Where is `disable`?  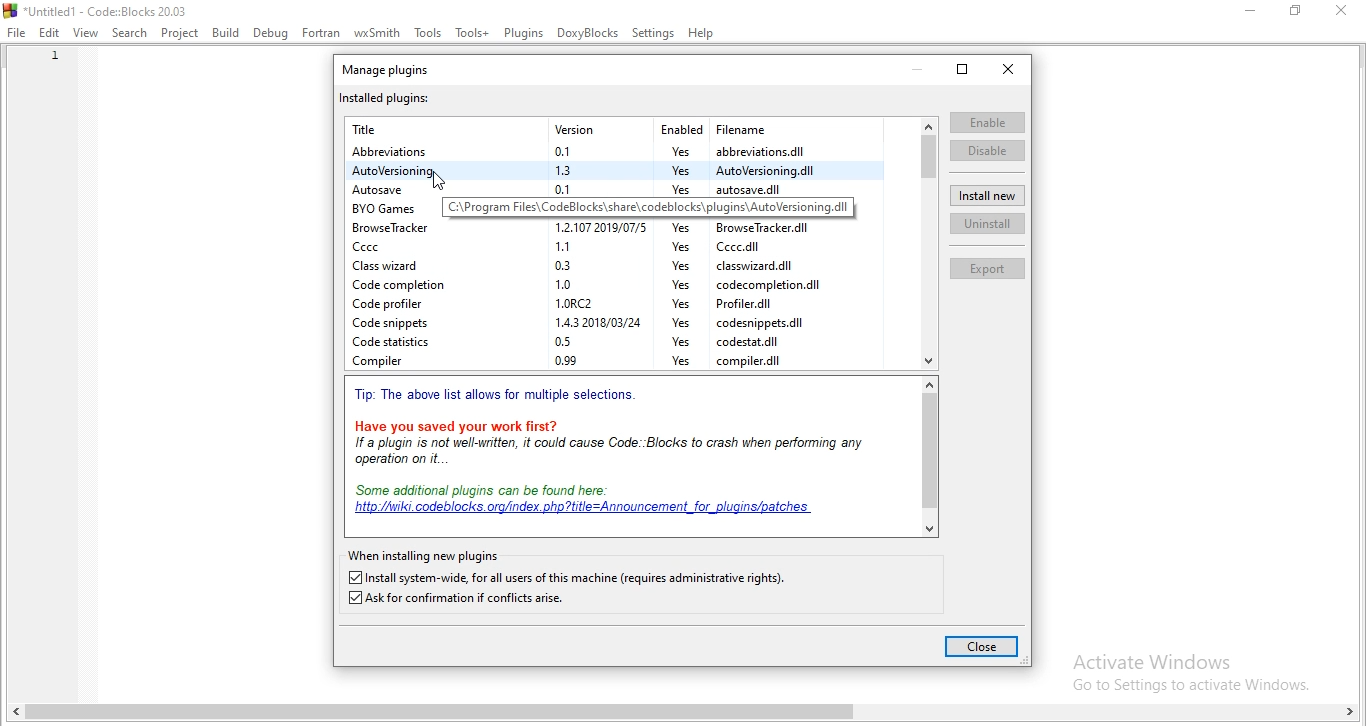 disable is located at coordinates (986, 150).